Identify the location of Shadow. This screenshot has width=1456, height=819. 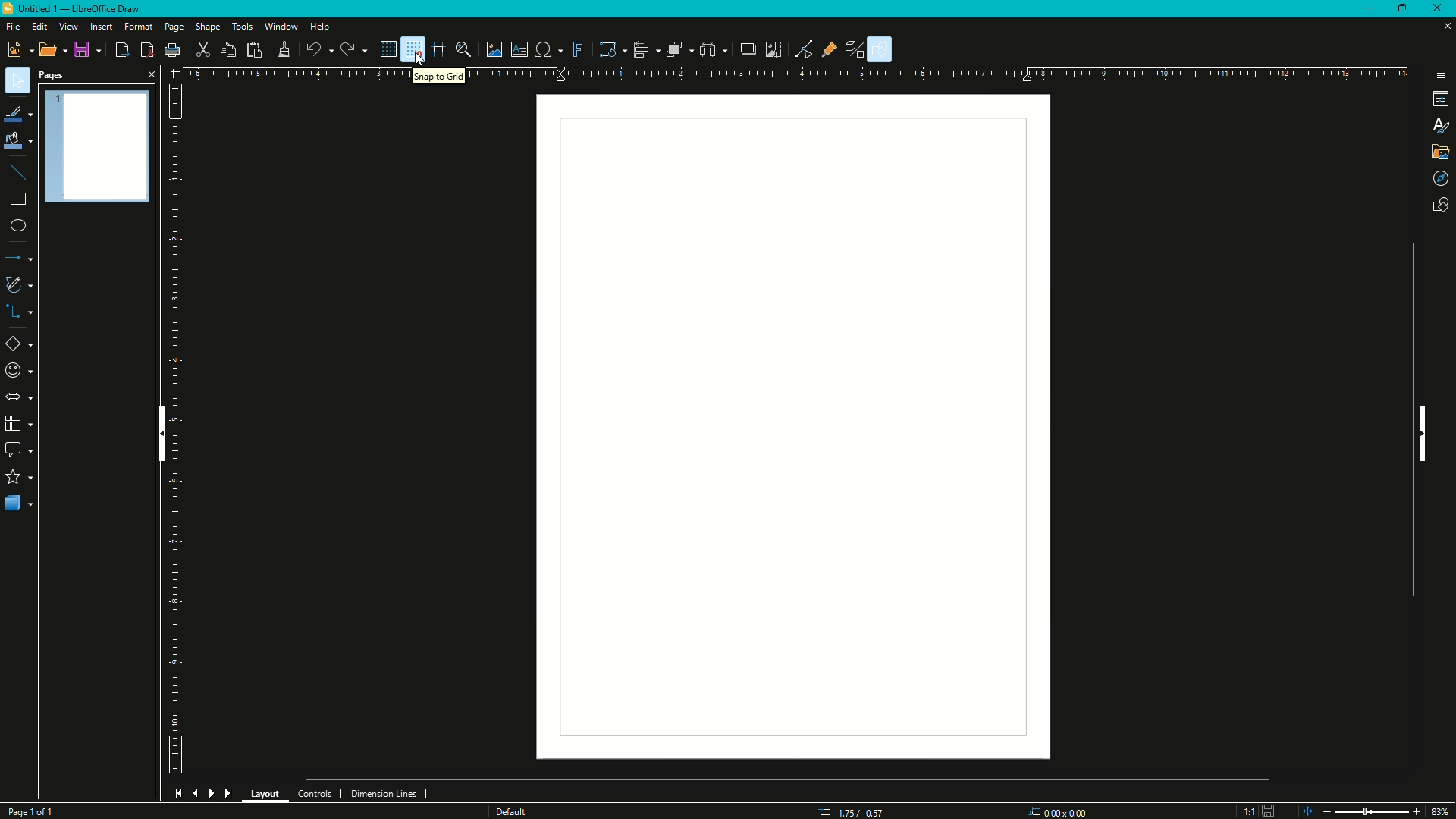
(746, 51).